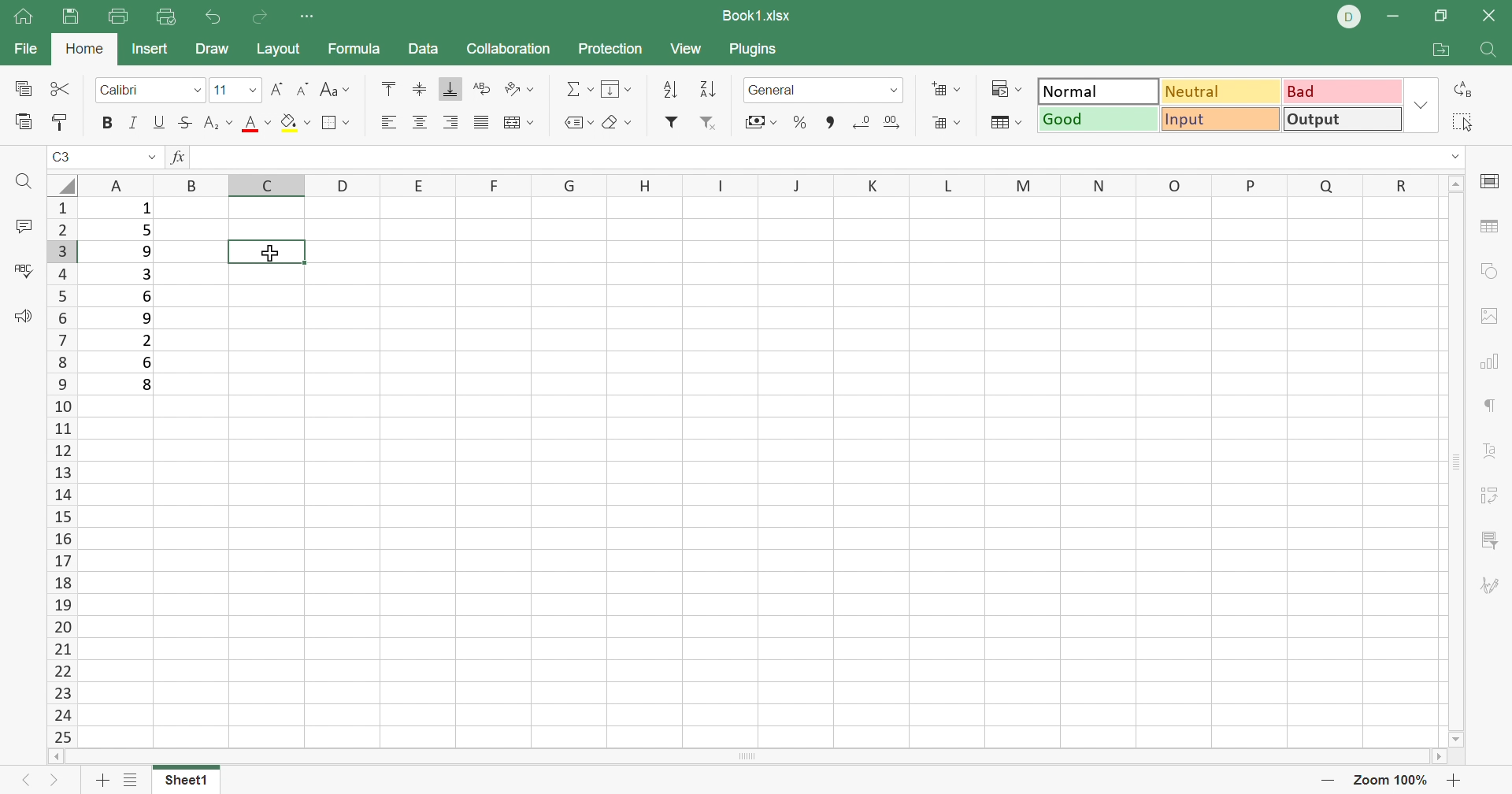  I want to click on 1, so click(145, 210).